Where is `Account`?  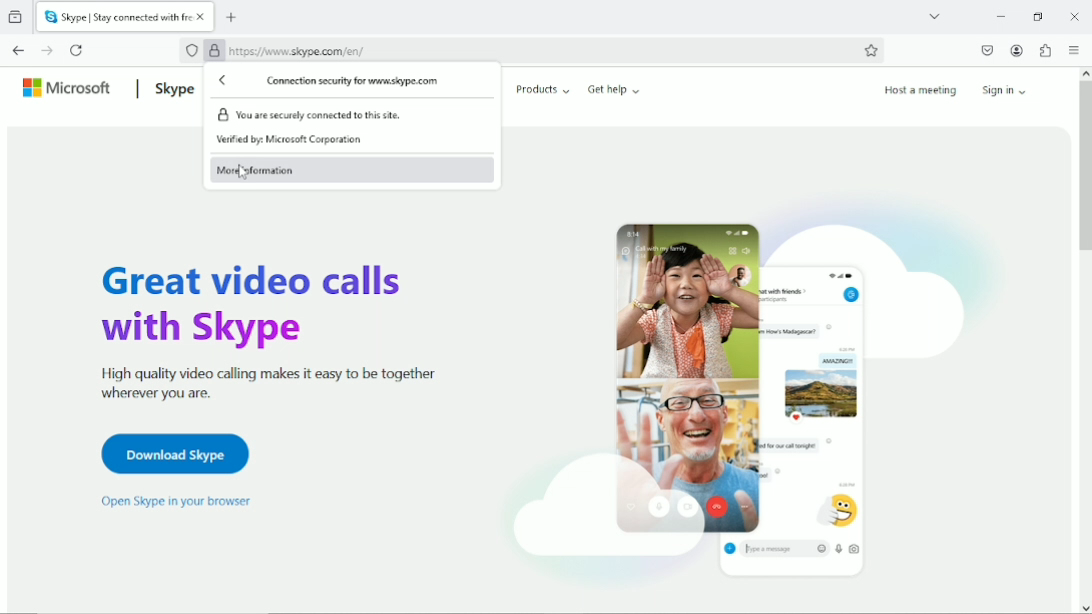 Account is located at coordinates (1017, 51).